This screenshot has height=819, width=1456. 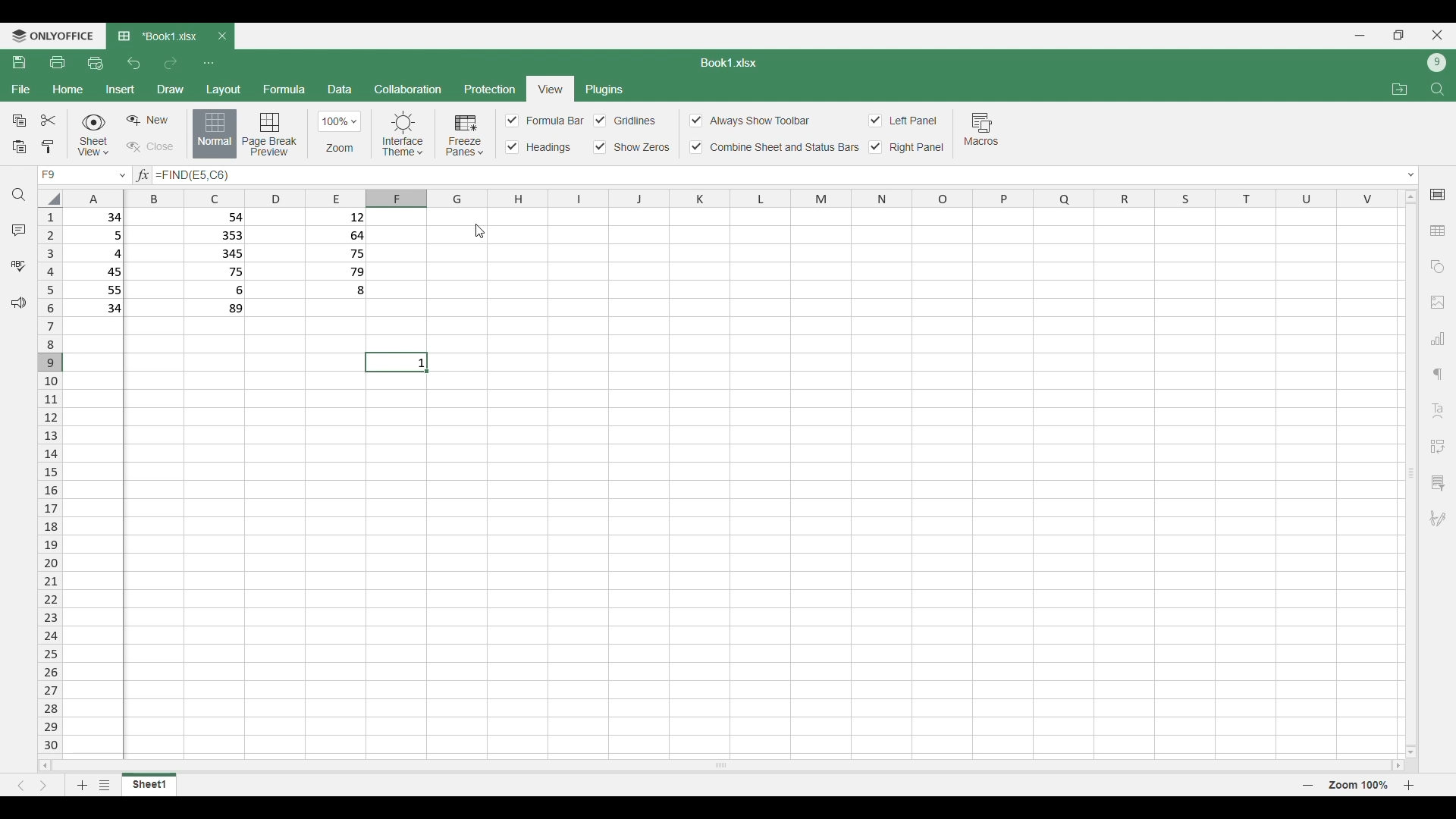 What do you see at coordinates (624, 121) in the screenshot?
I see `Toggles for each cell` at bounding box center [624, 121].